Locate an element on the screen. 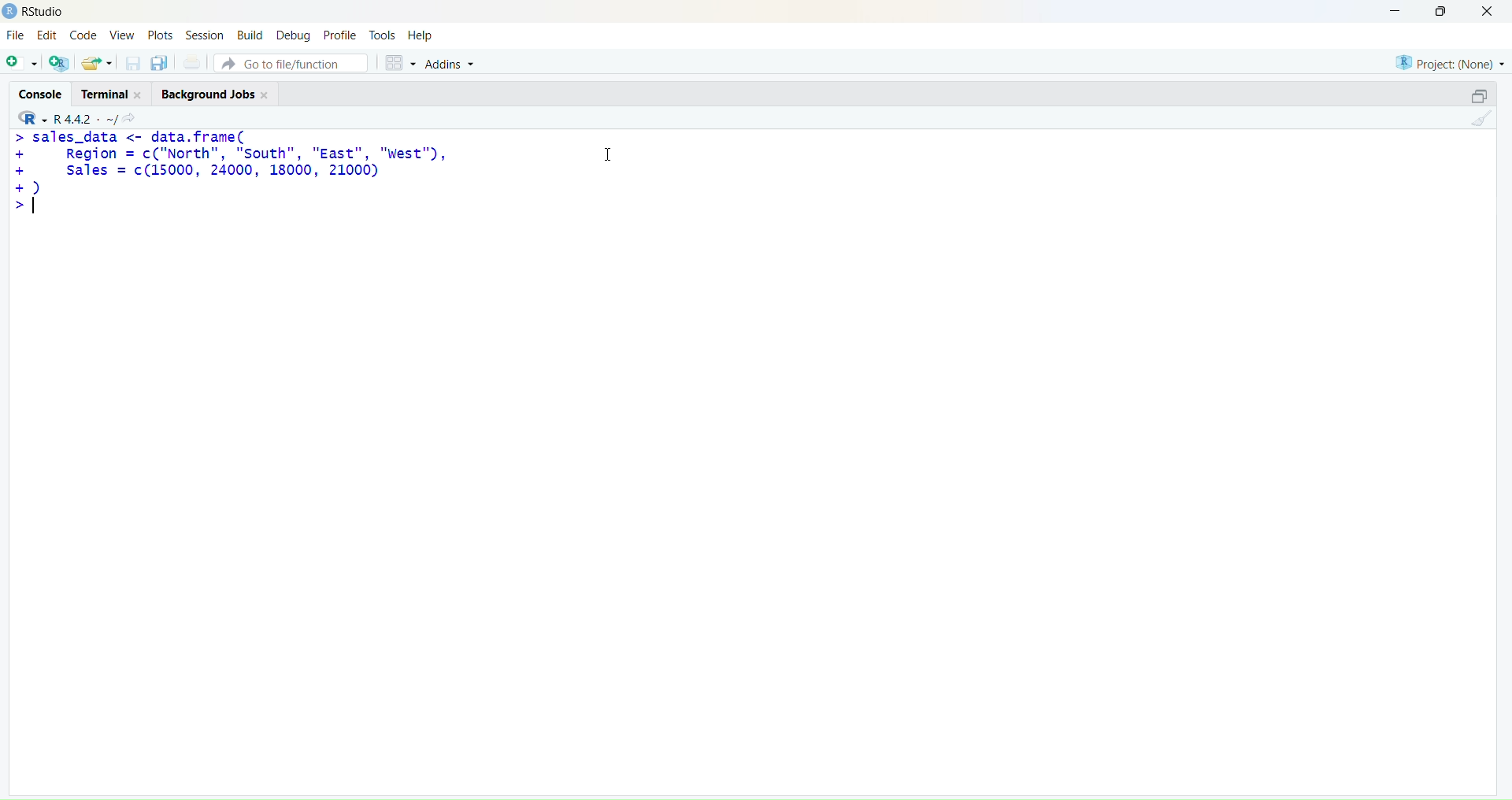 This screenshot has width=1512, height=800. save is located at coordinates (132, 67).